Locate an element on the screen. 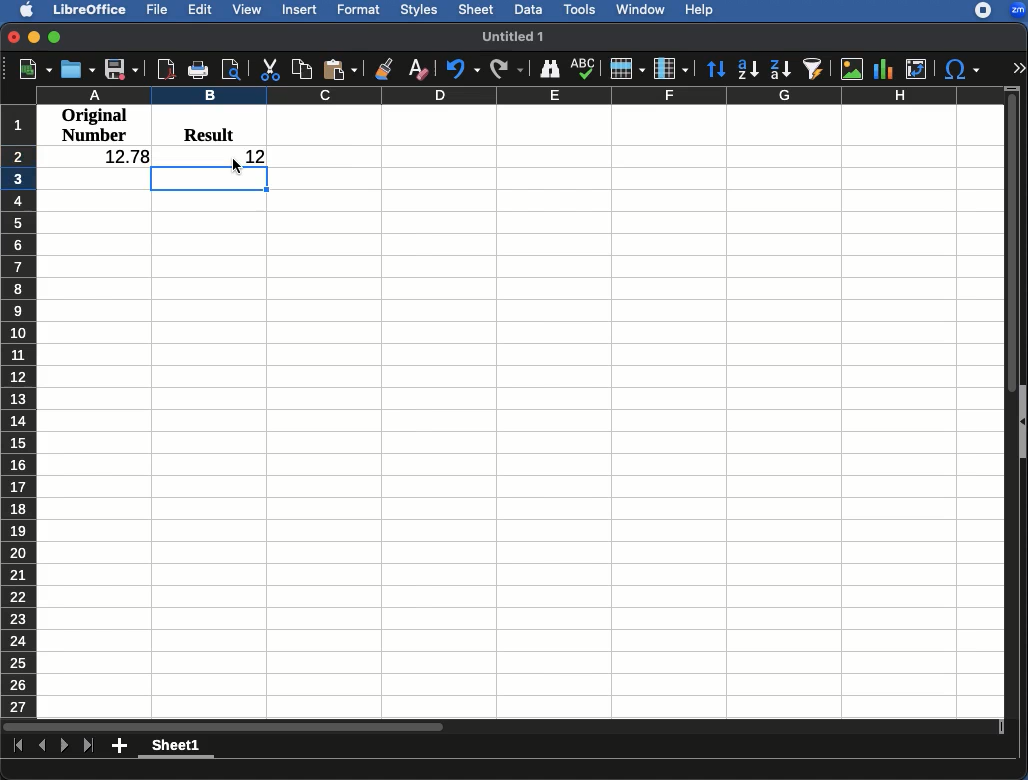  File is located at coordinates (160, 9).